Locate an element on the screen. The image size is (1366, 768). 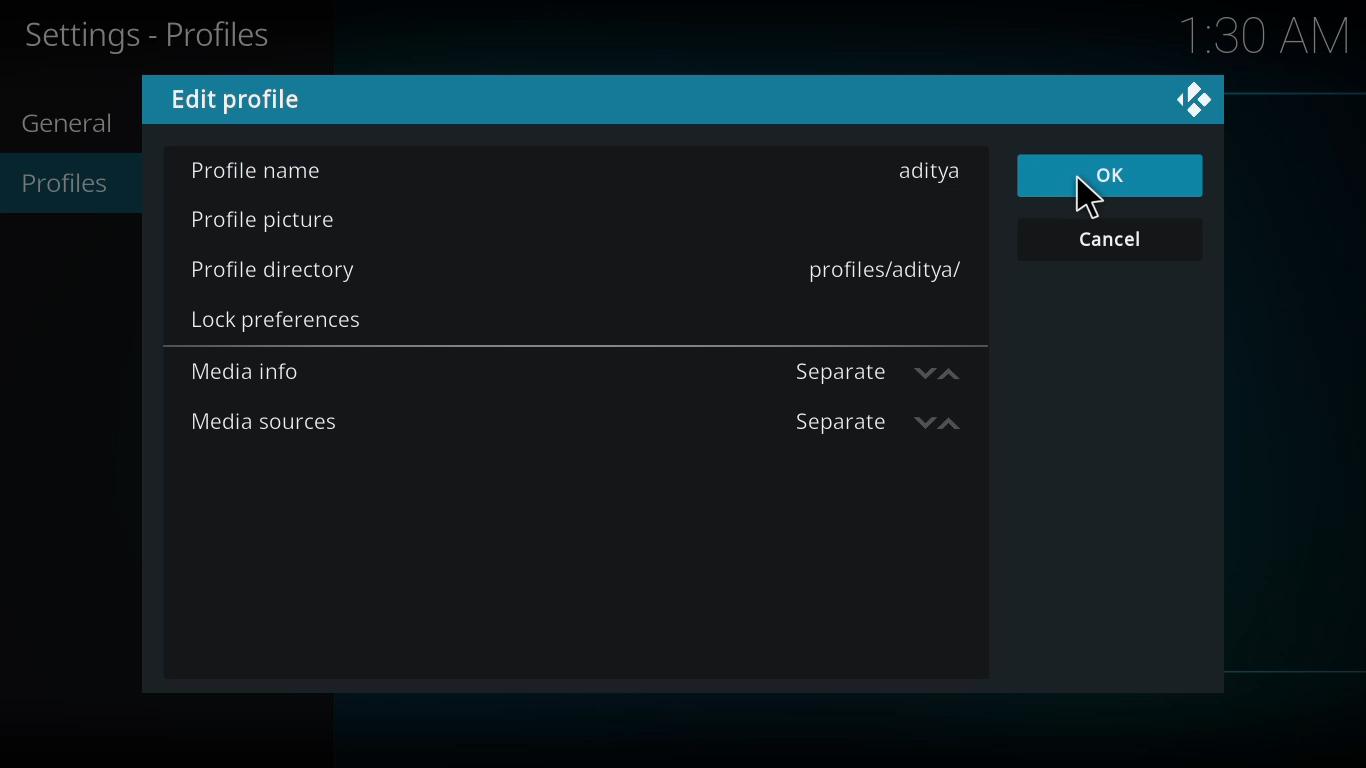
profile picture is located at coordinates (268, 222).